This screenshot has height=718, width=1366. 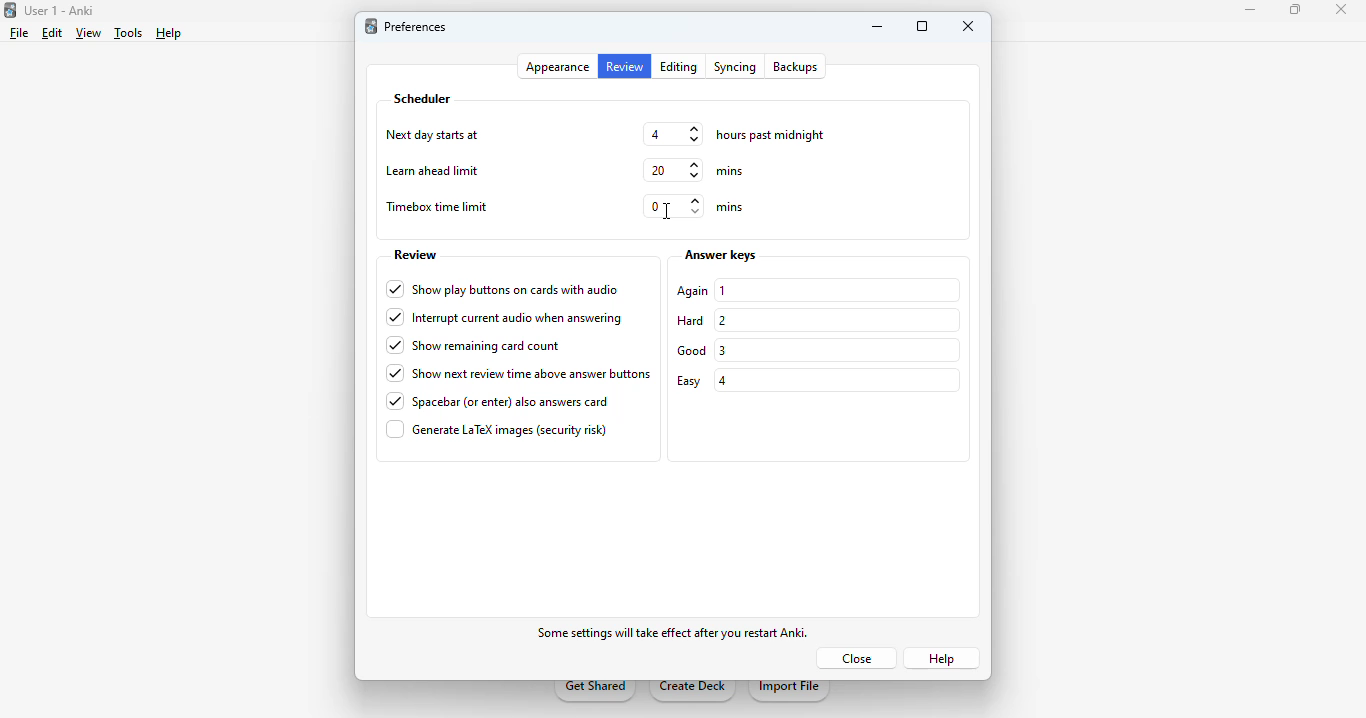 What do you see at coordinates (968, 26) in the screenshot?
I see `close` at bounding box center [968, 26].